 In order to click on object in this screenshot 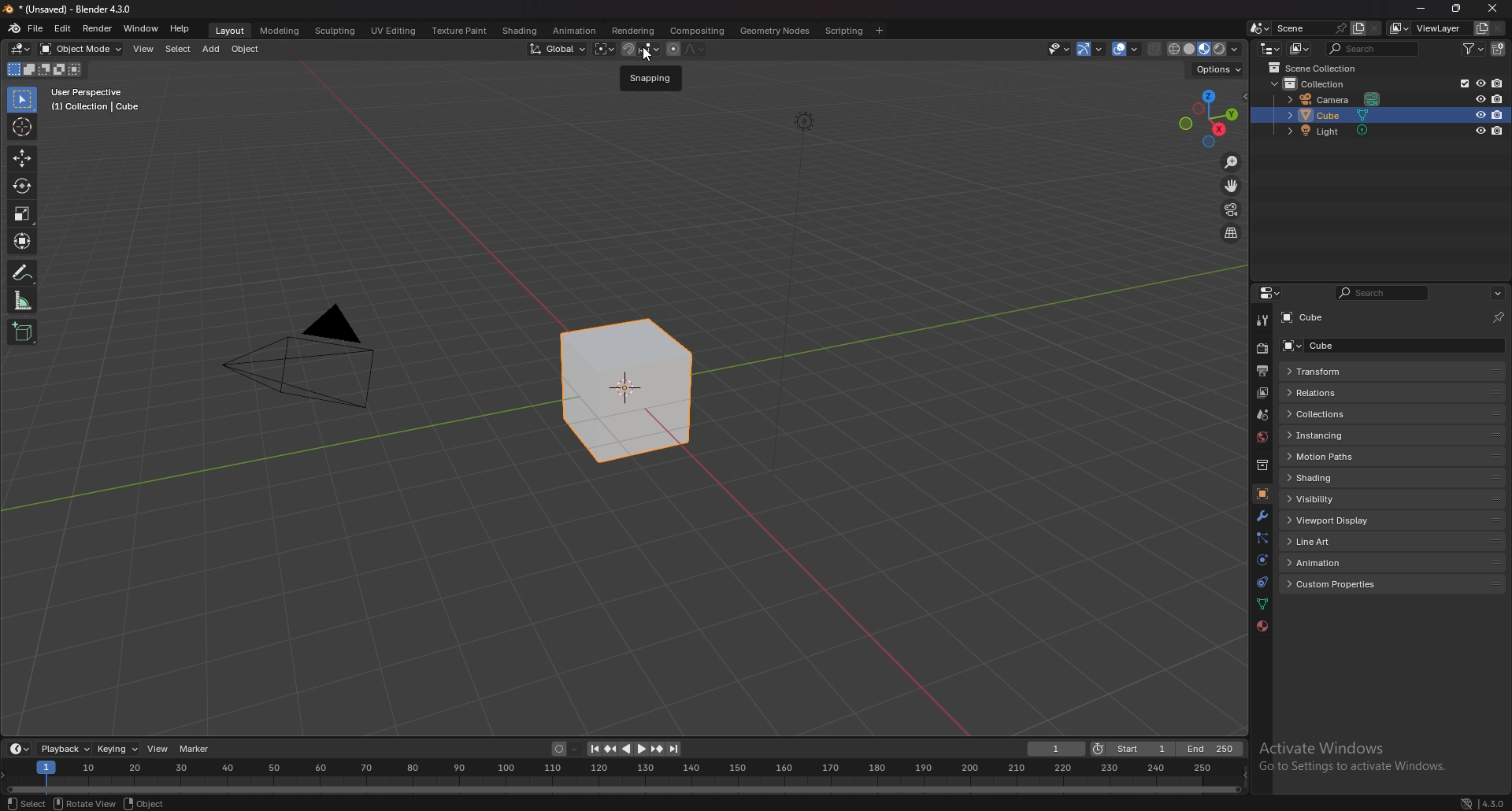, I will do `click(246, 50)`.